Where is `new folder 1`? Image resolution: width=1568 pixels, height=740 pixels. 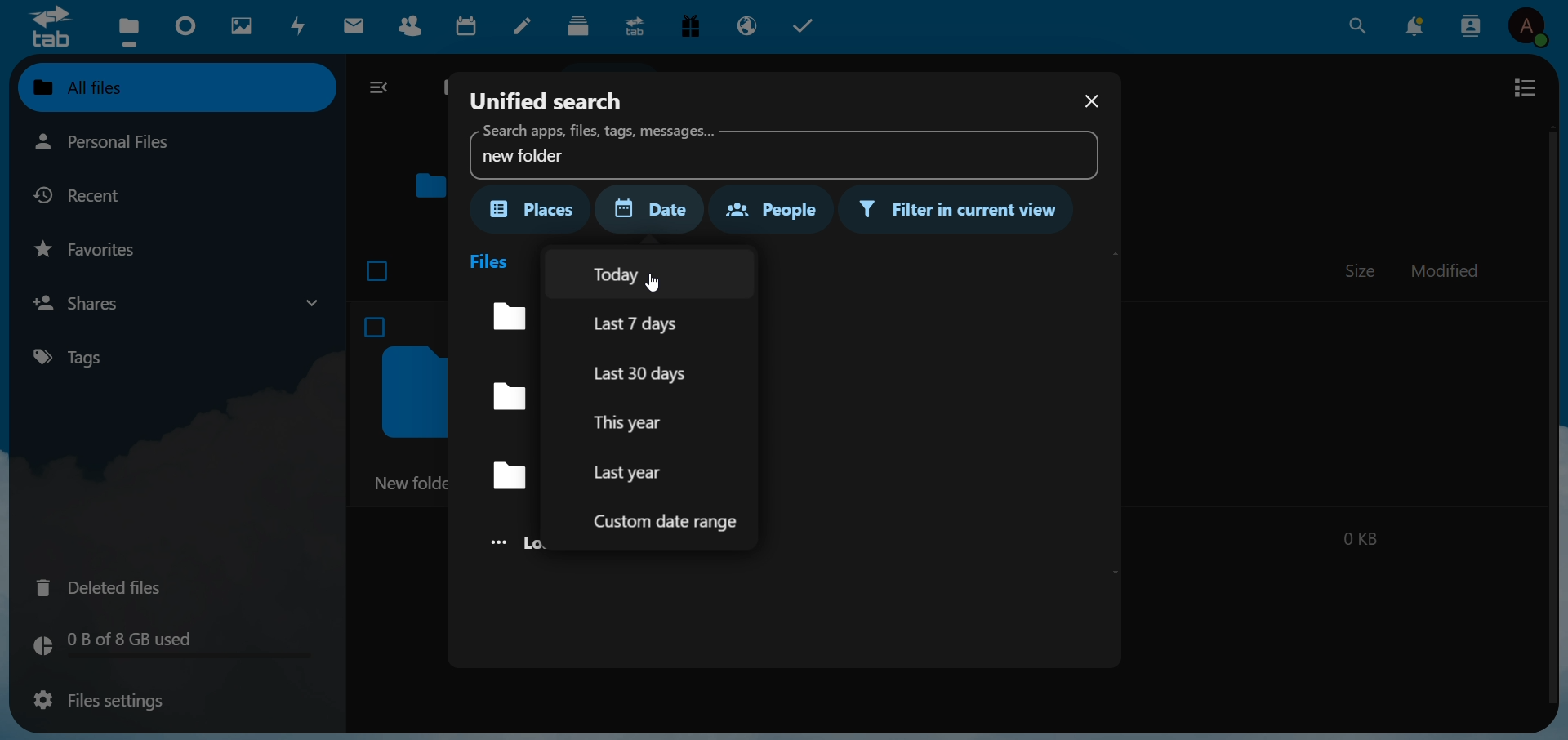
new folder 1 is located at coordinates (506, 398).